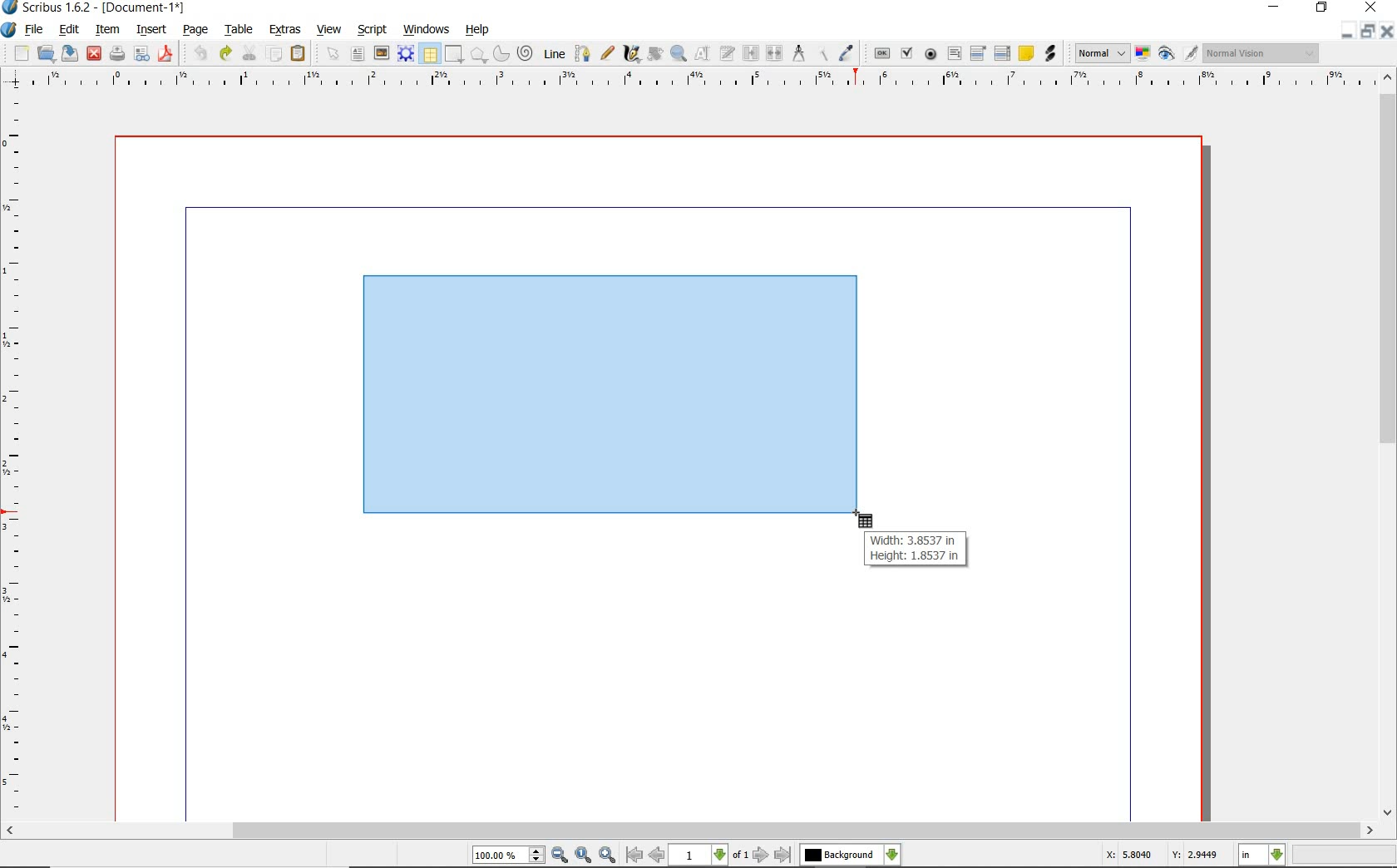 Image resolution: width=1397 pixels, height=868 pixels. Describe the element at coordinates (1262, 855) in the screenshot. I see `select measurement` at that location.